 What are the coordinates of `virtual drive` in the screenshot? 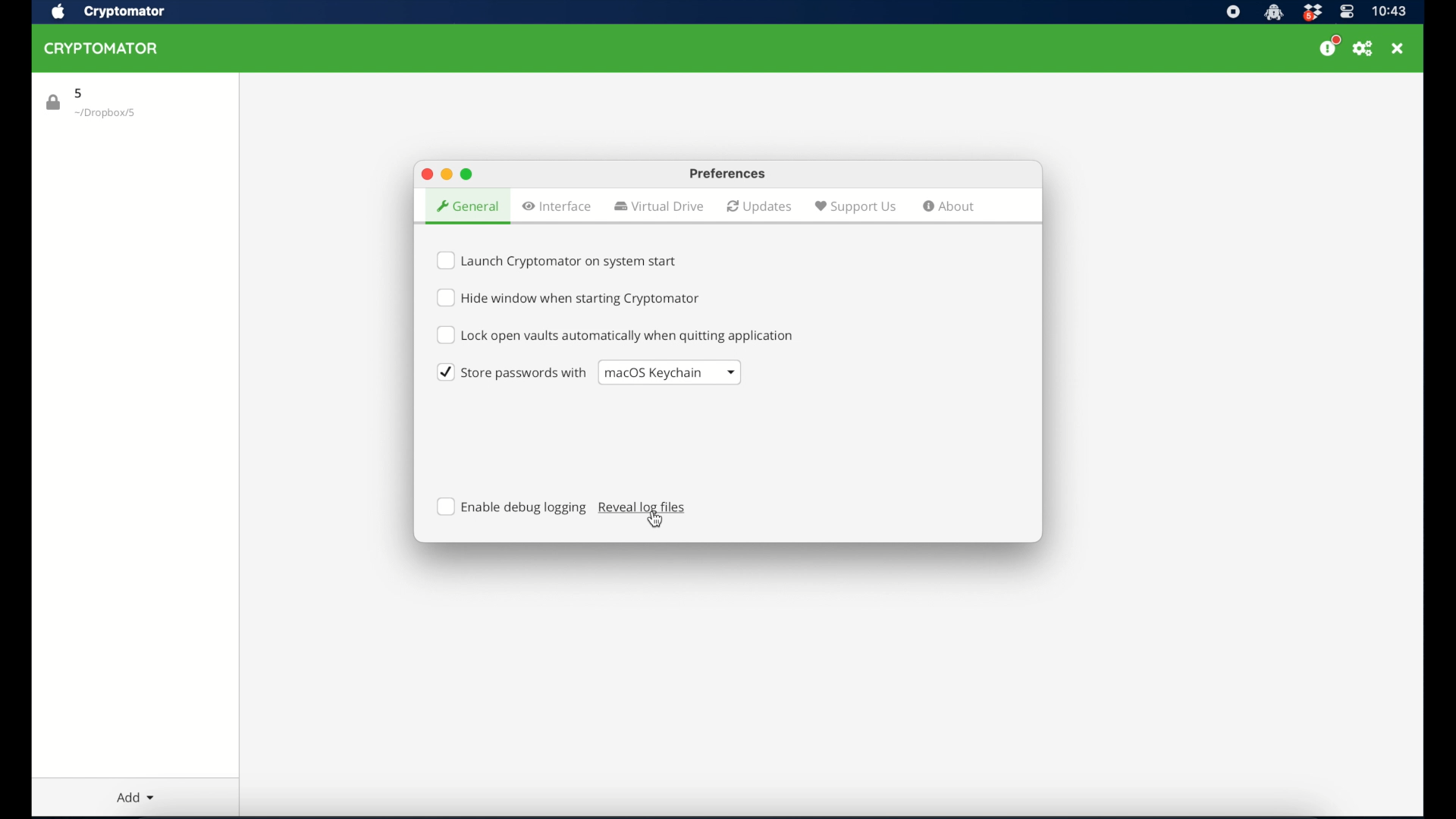 It's located at (660, 206).